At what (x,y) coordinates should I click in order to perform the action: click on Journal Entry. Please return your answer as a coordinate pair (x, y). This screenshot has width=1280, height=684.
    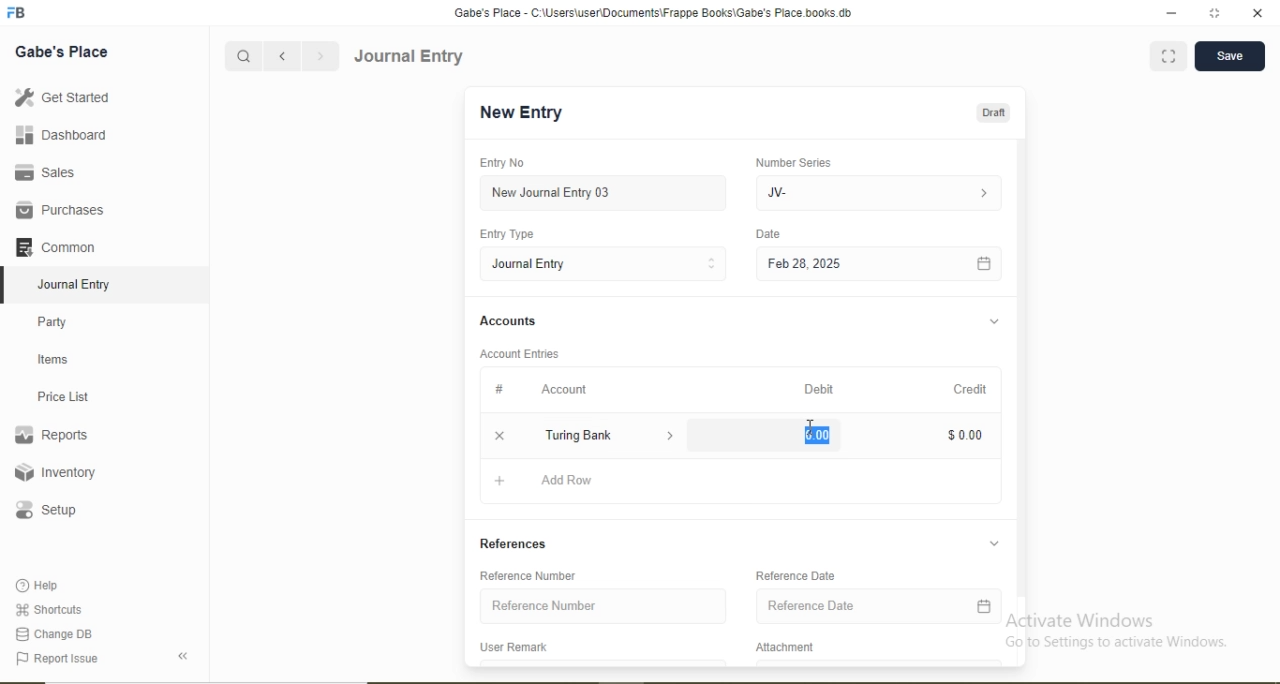
    Looking at the image, I should click on (76, 285).